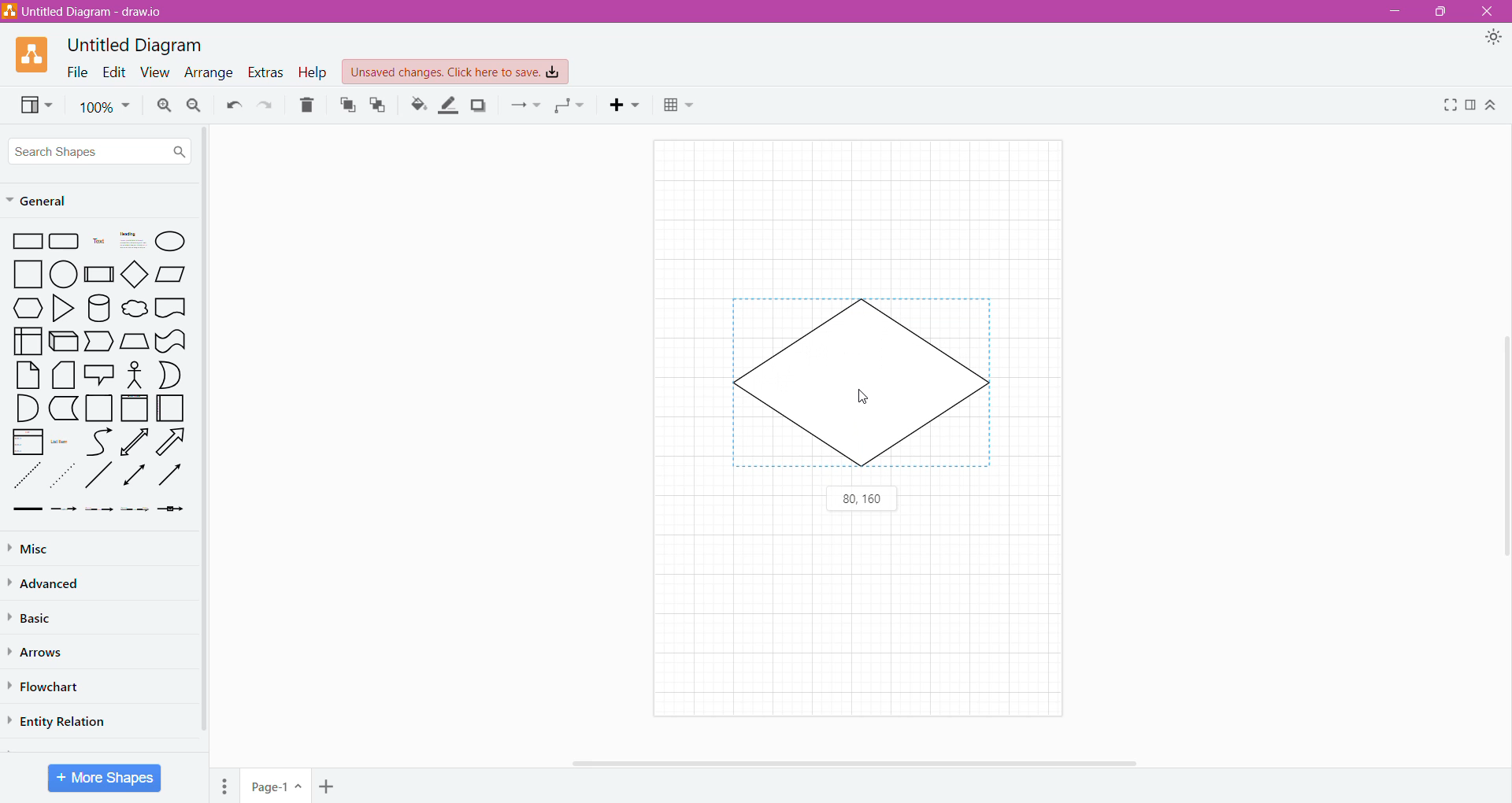 This screenshot has width=1512, height=803. What do you see at coordinates (171, 411) in the screenshot?
I see `Horizontal Container` at bounding box center [171, 411].